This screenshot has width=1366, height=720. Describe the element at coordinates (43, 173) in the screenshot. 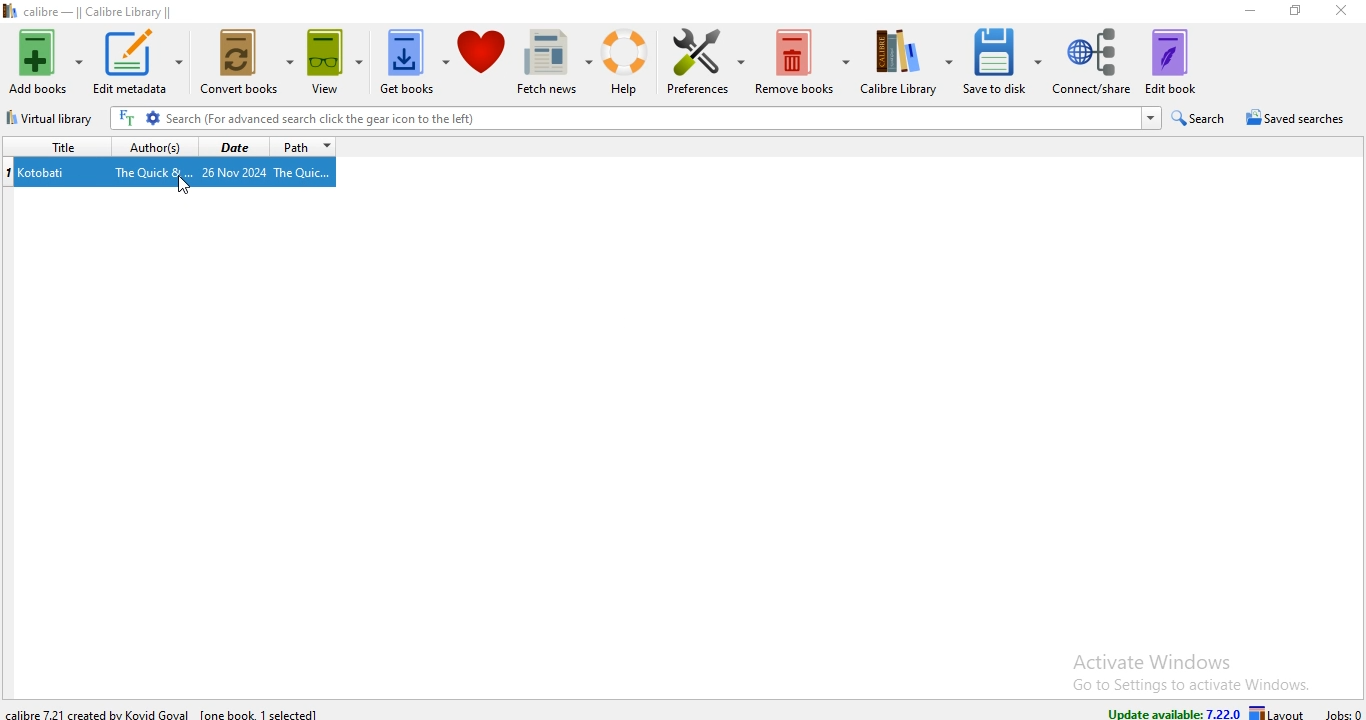

I see `Kotobati` at that location.